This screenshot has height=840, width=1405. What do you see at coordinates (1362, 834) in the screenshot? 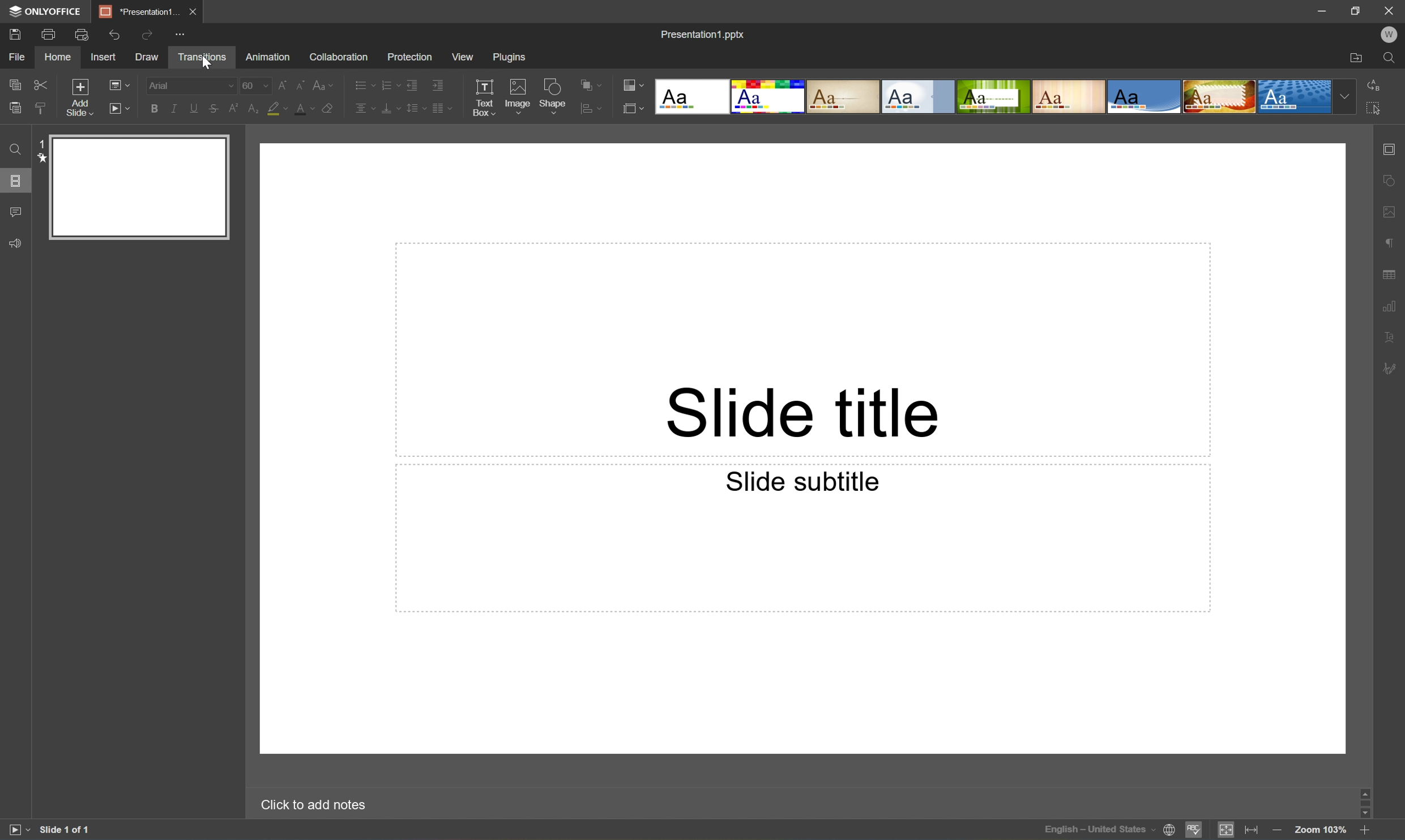
I see `Zoom in` at bounding box center [1362, 834].